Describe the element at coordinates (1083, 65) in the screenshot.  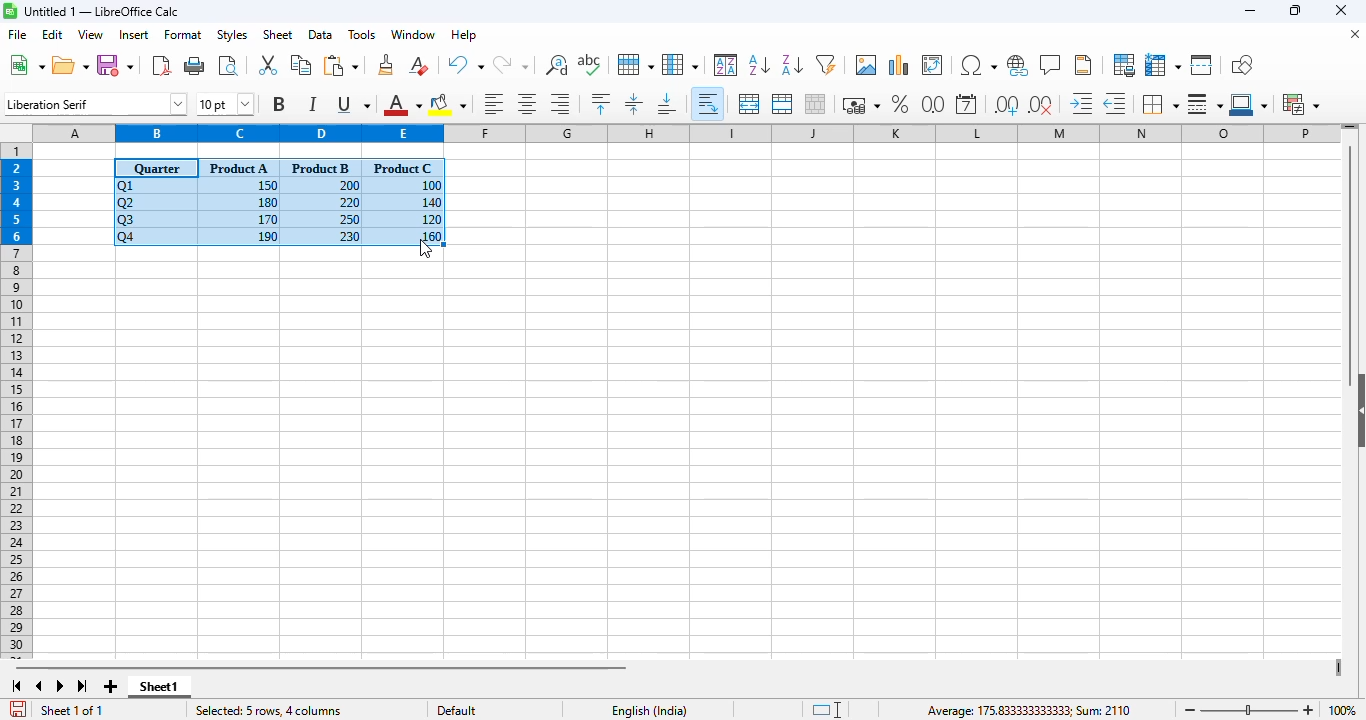
I see `headers and footers` at that location.